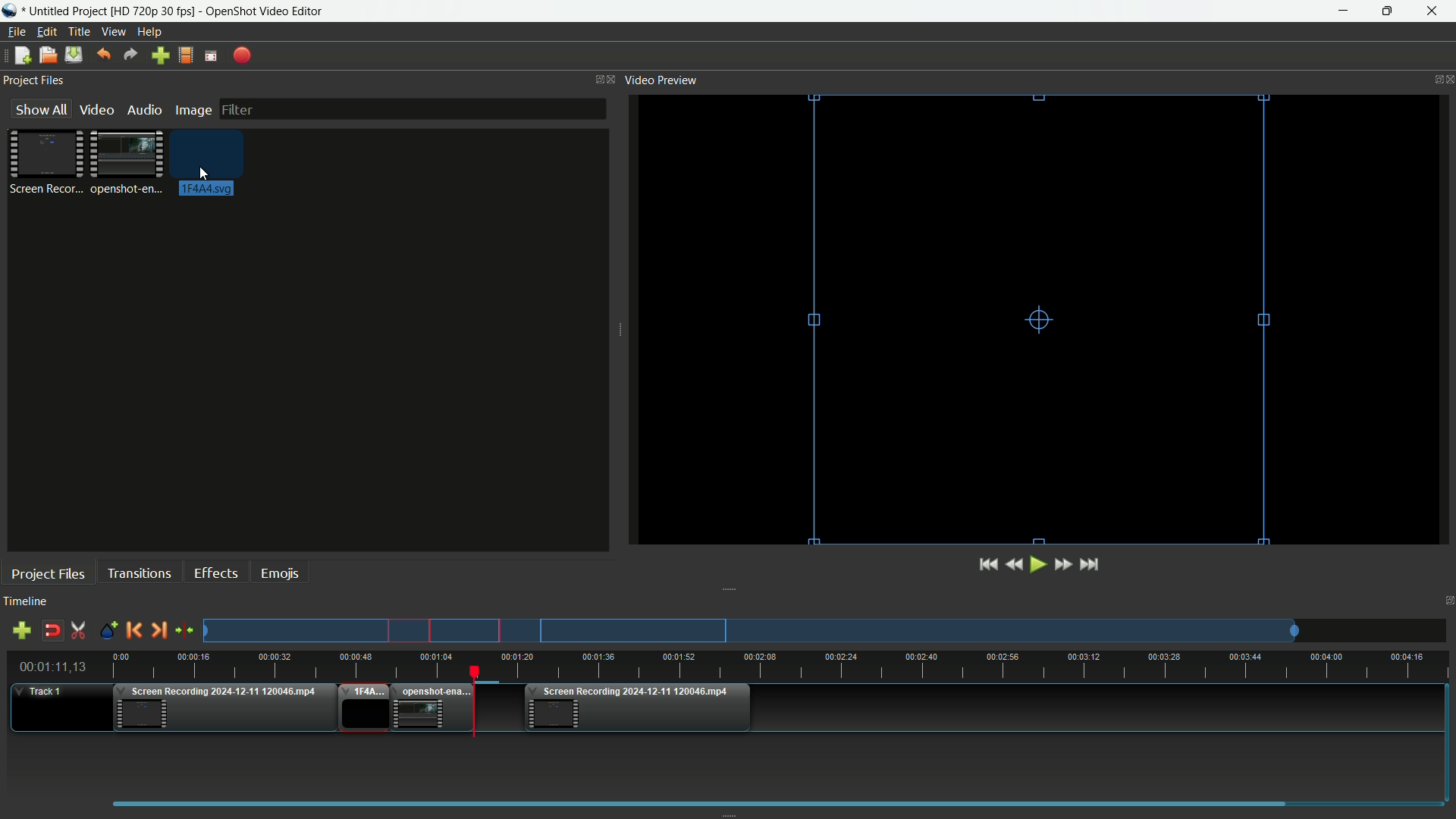 The height and width of the screenshot is (819, 1456). Describe the element at coordinates (67, 11) in the screenshot. I see `Project name` at that location.